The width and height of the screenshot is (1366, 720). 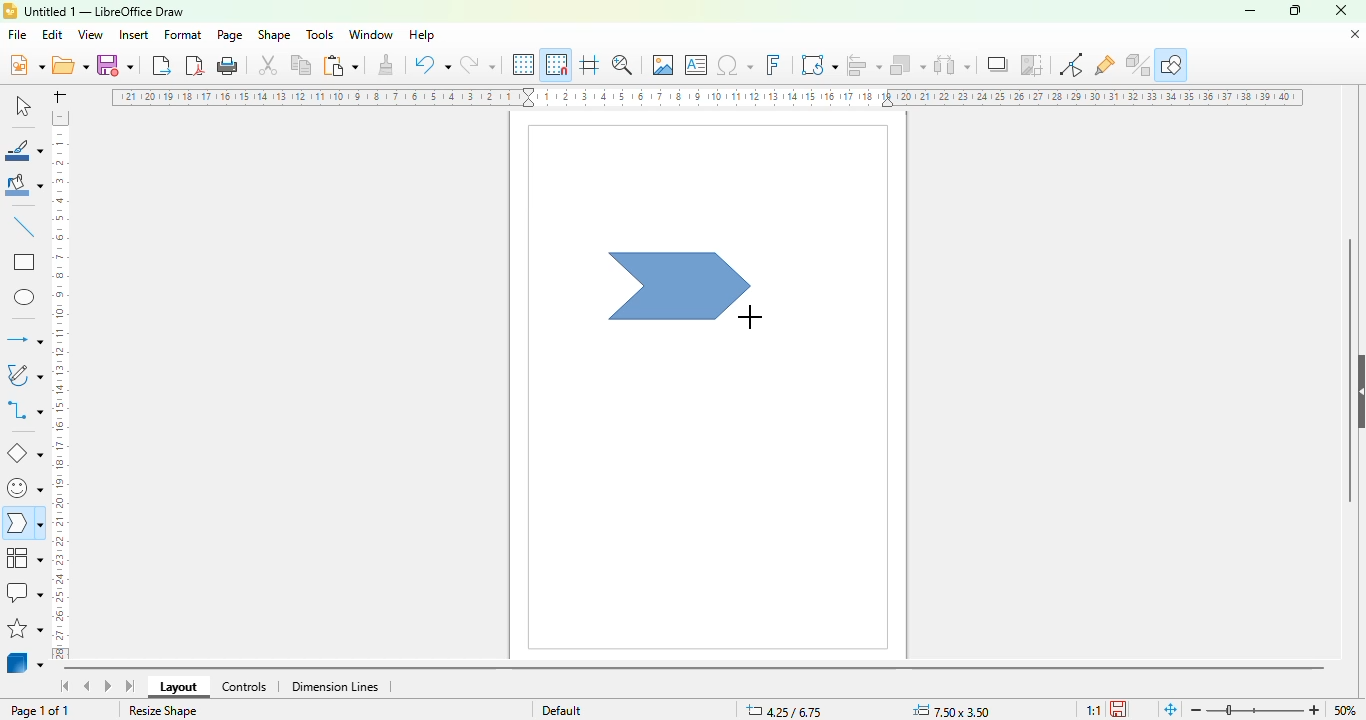 I want to click on ruler, so click(x=707, y=97).